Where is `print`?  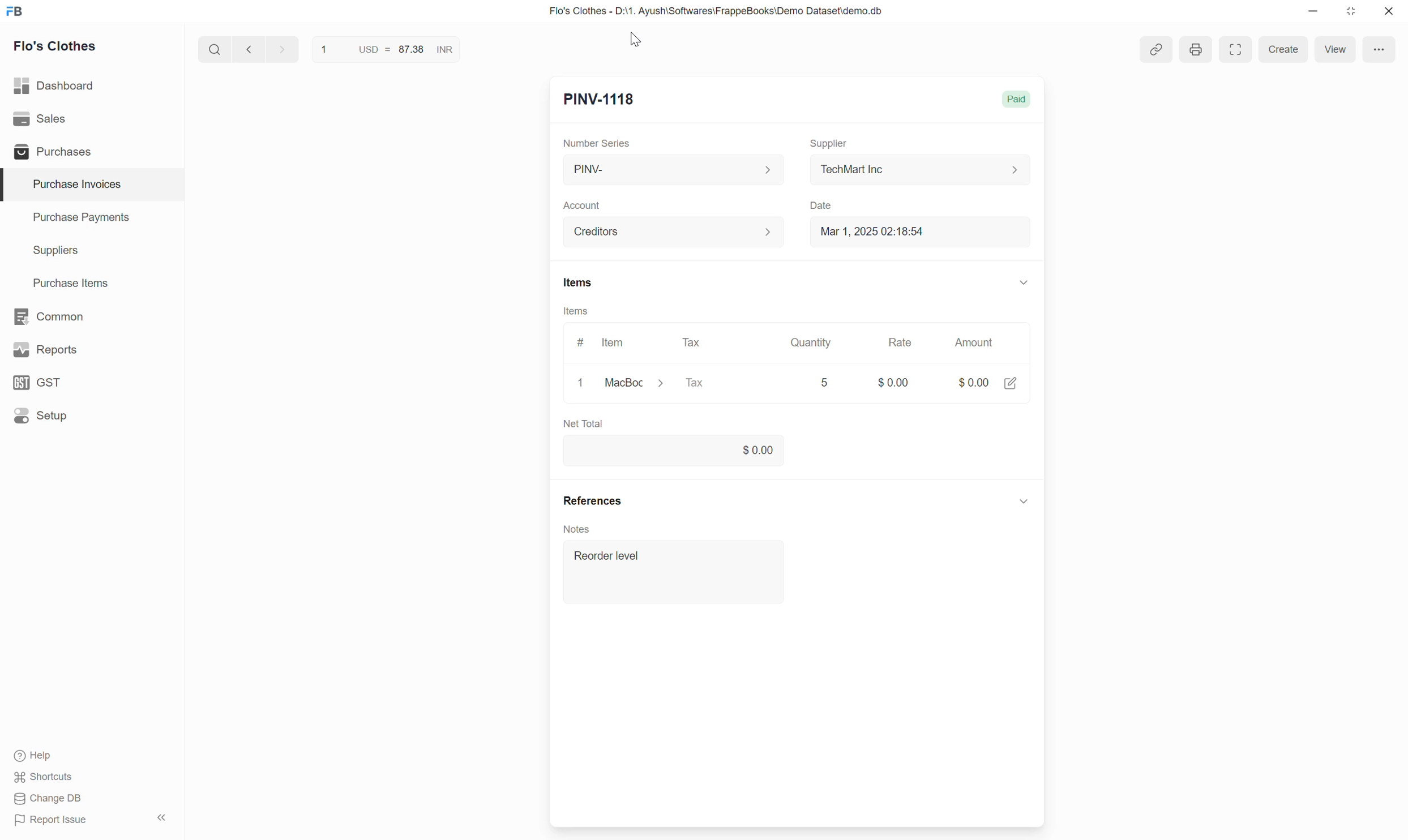 print is located at coordinates (1194, 49).